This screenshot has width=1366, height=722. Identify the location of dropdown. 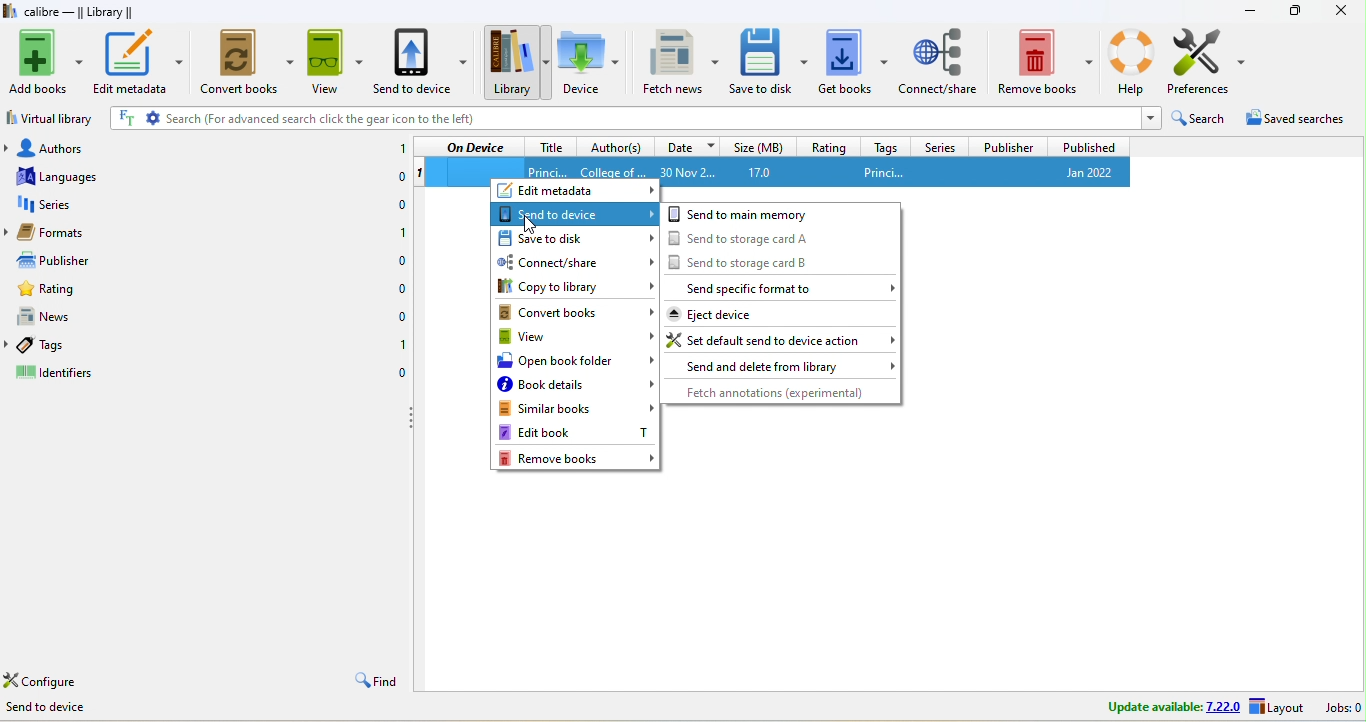
(1149, 118).